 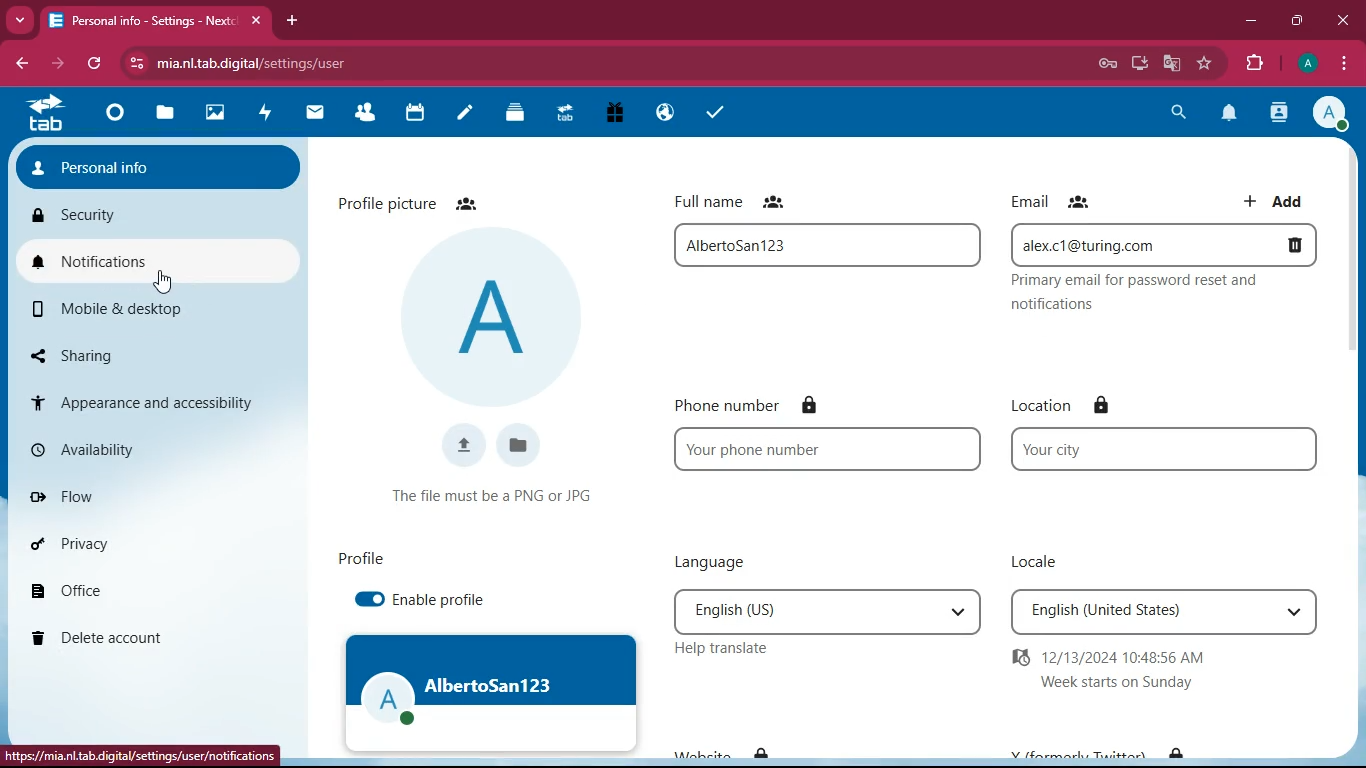 What do you see at coordinates (50, 114) in the screenshot?
I see `tab` at bounding box center [50, 114].